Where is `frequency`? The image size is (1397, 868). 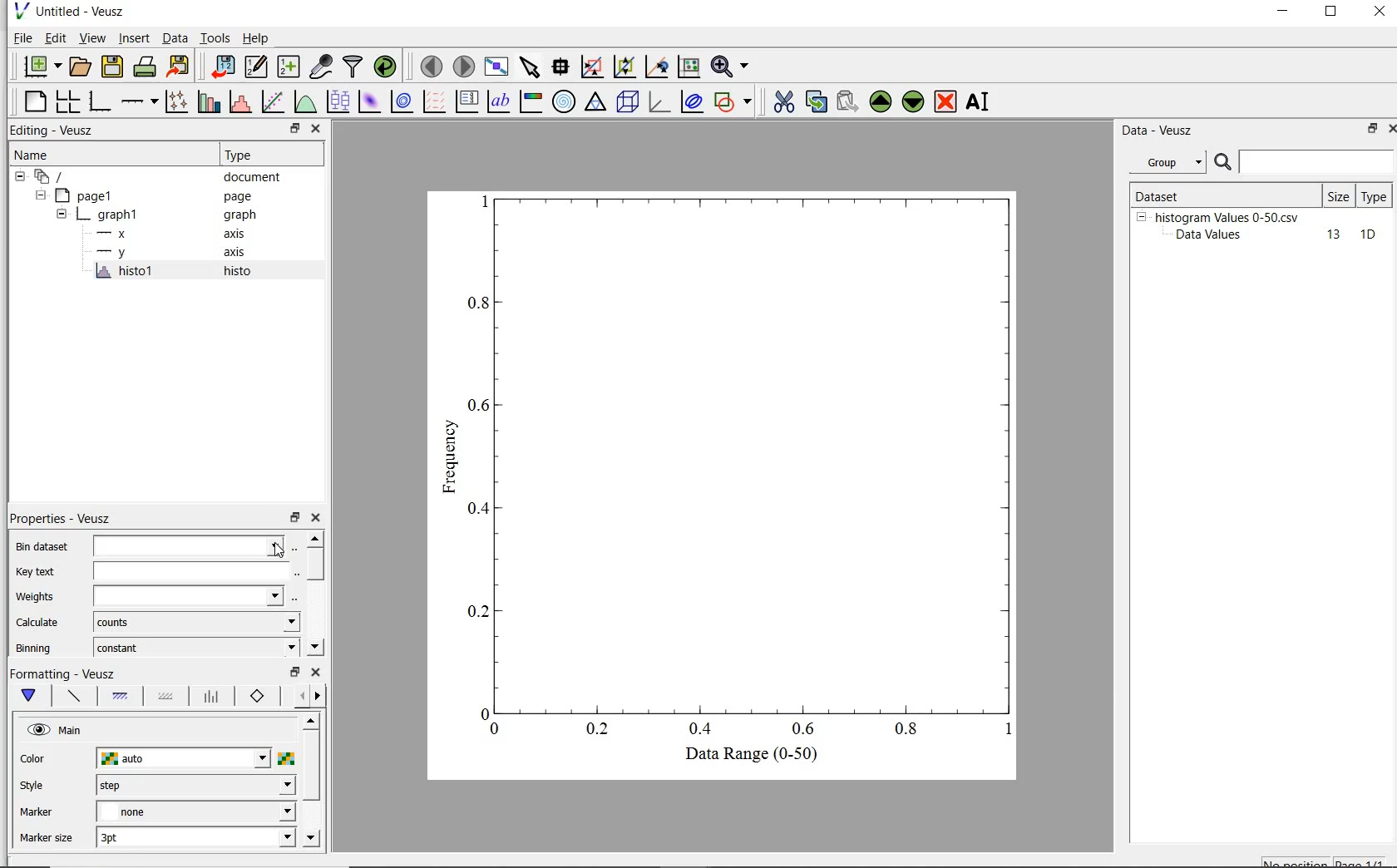
frequency is located at coordinates (449, 461).